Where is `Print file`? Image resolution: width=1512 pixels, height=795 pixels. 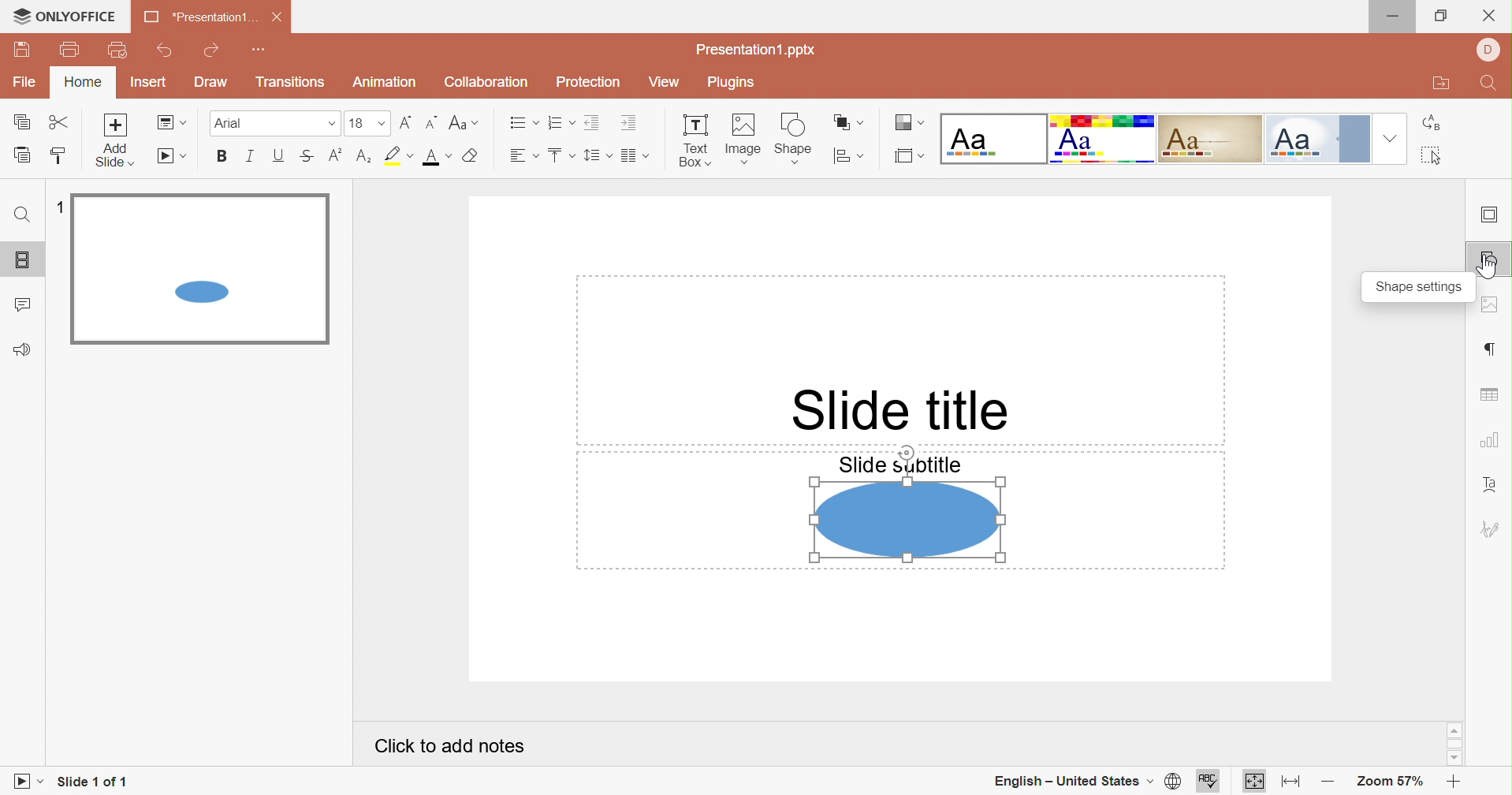
Print file is located at coordinates (71, 50).